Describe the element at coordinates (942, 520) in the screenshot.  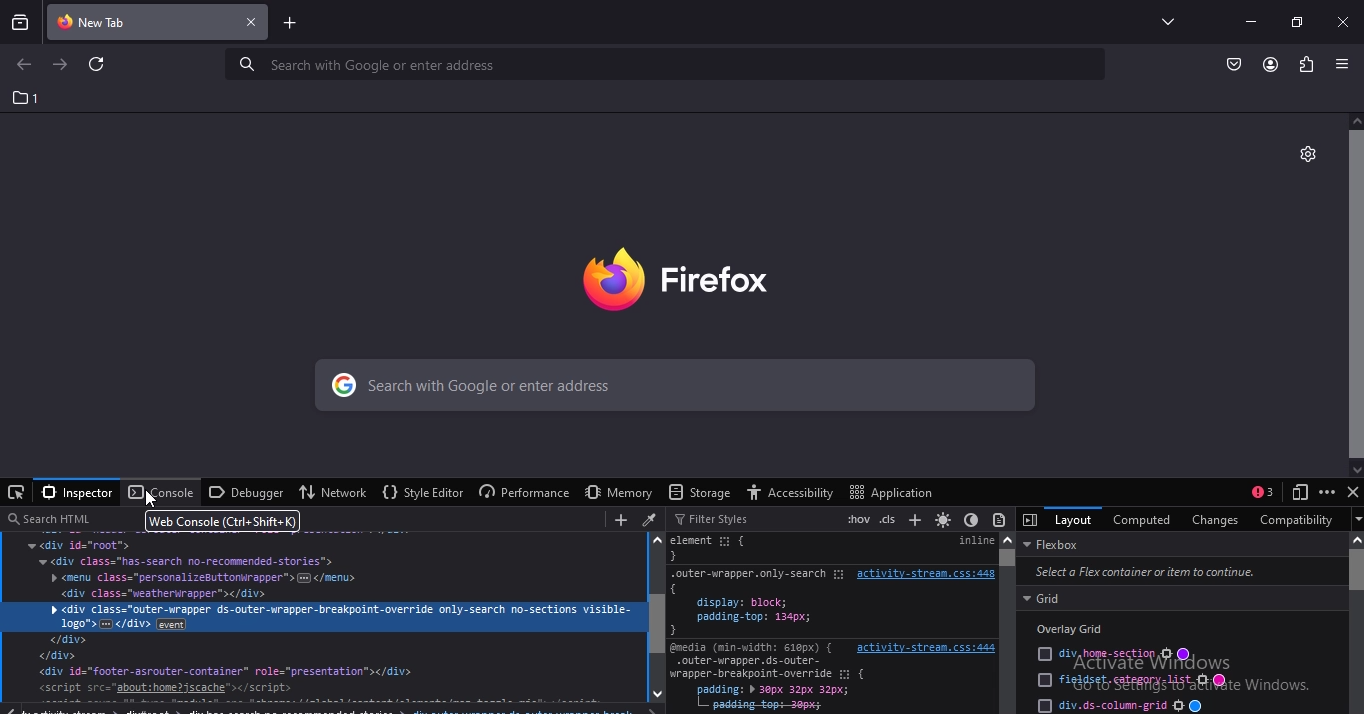
I see `toggle light color scheme simulation for the page` at that location.